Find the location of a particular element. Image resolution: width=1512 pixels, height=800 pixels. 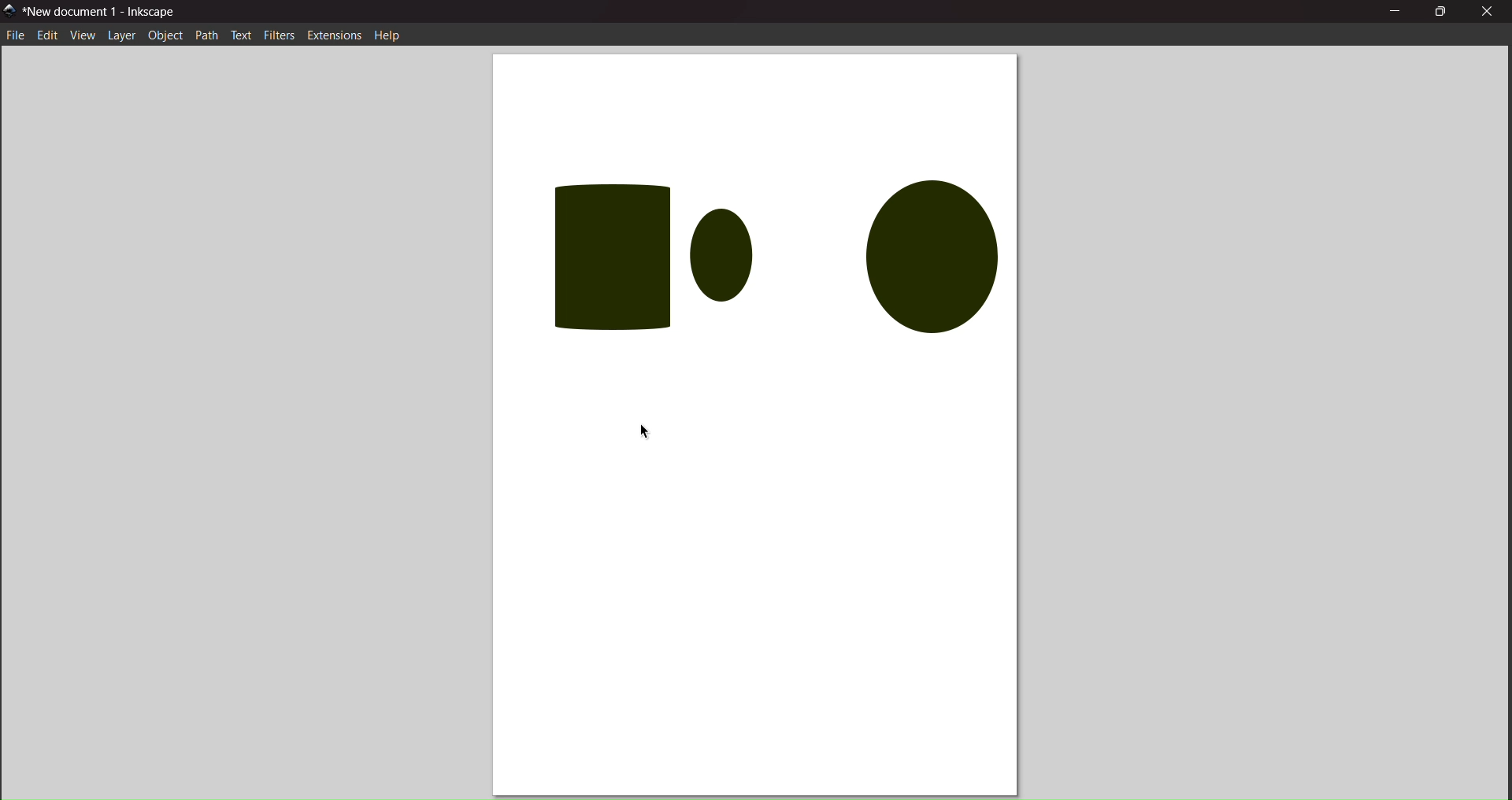

objects is located at coordinates (771, 250).